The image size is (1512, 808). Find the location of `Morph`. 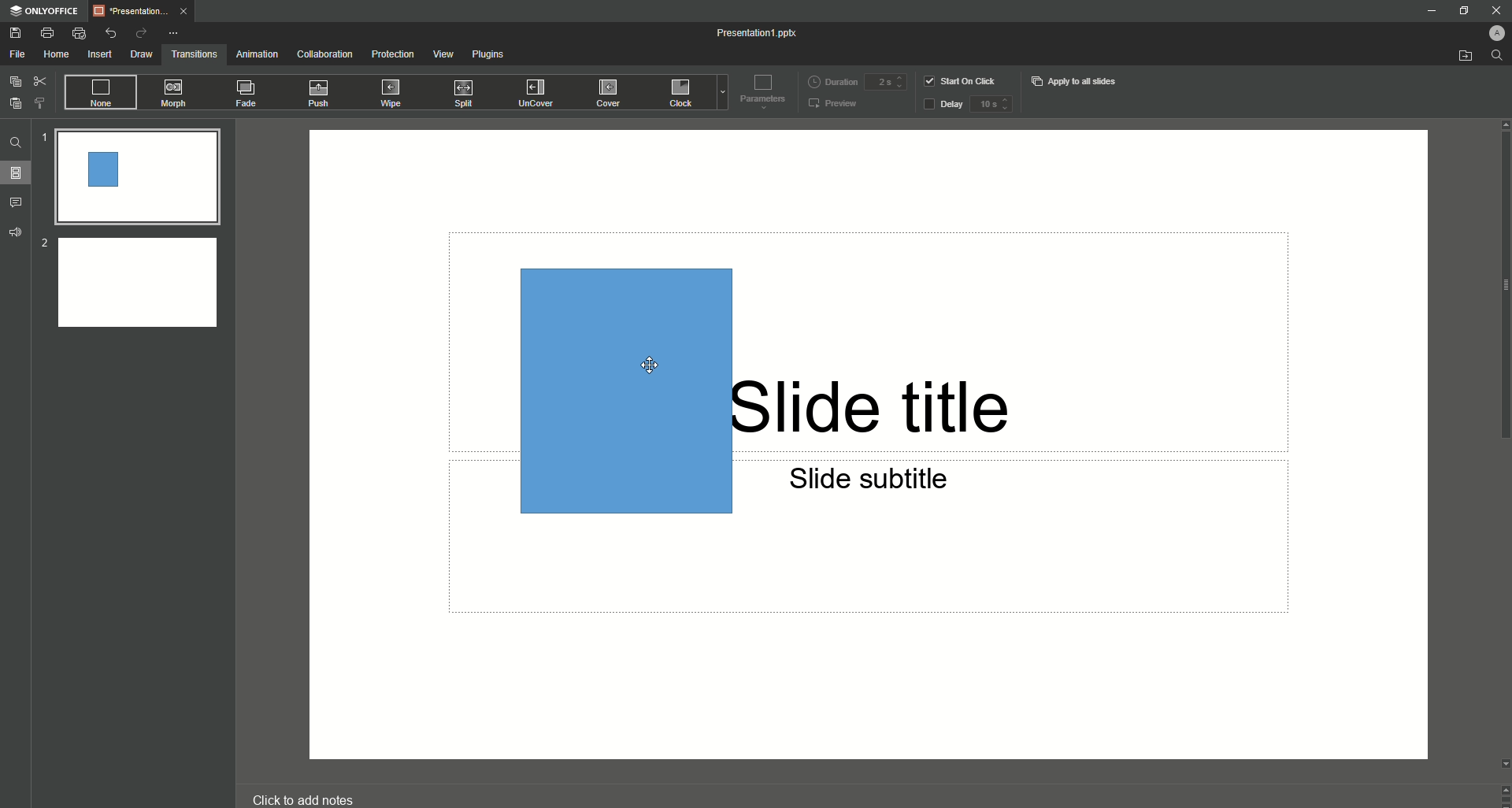

Morph is located at coordinates (179, 94).